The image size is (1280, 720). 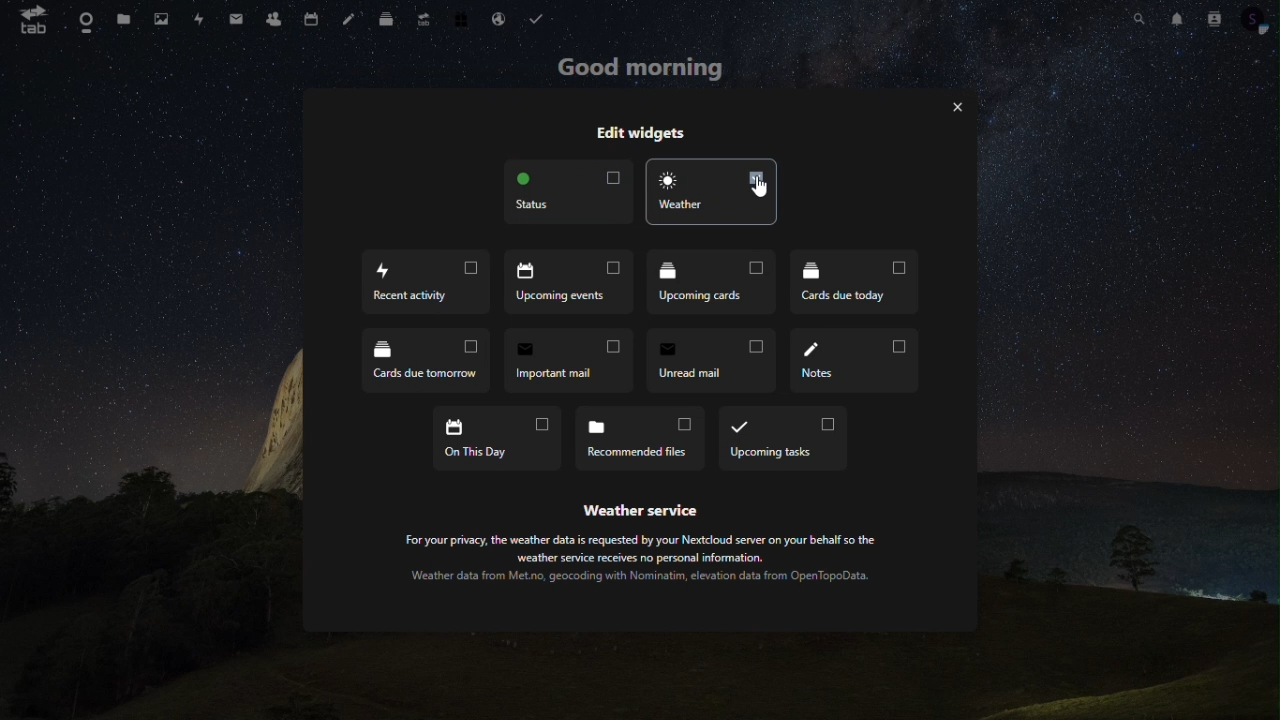 I want to click on search, so click(x=1137, y=18).